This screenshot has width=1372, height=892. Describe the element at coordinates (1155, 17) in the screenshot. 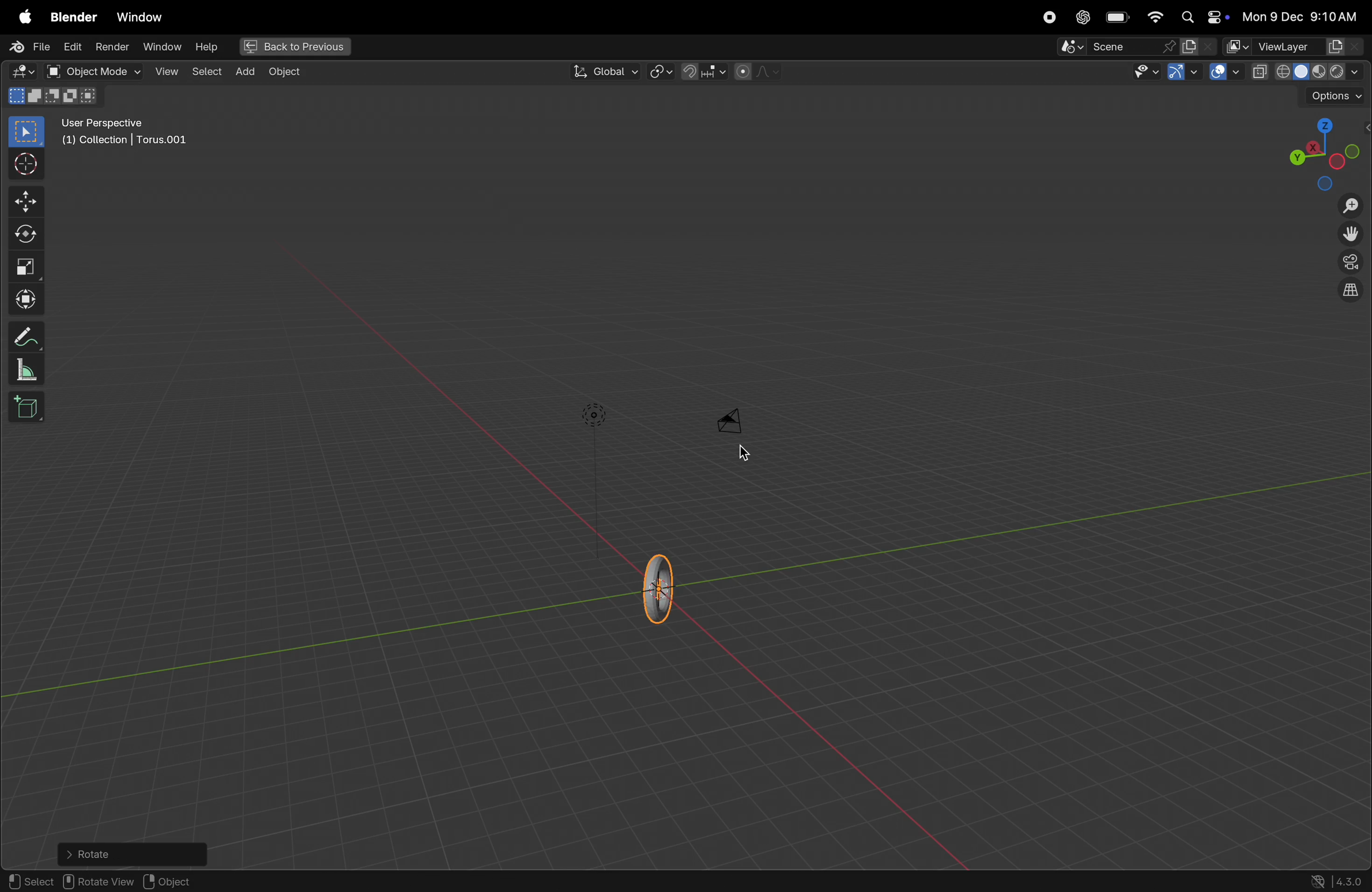

I see `wifi` at that location.